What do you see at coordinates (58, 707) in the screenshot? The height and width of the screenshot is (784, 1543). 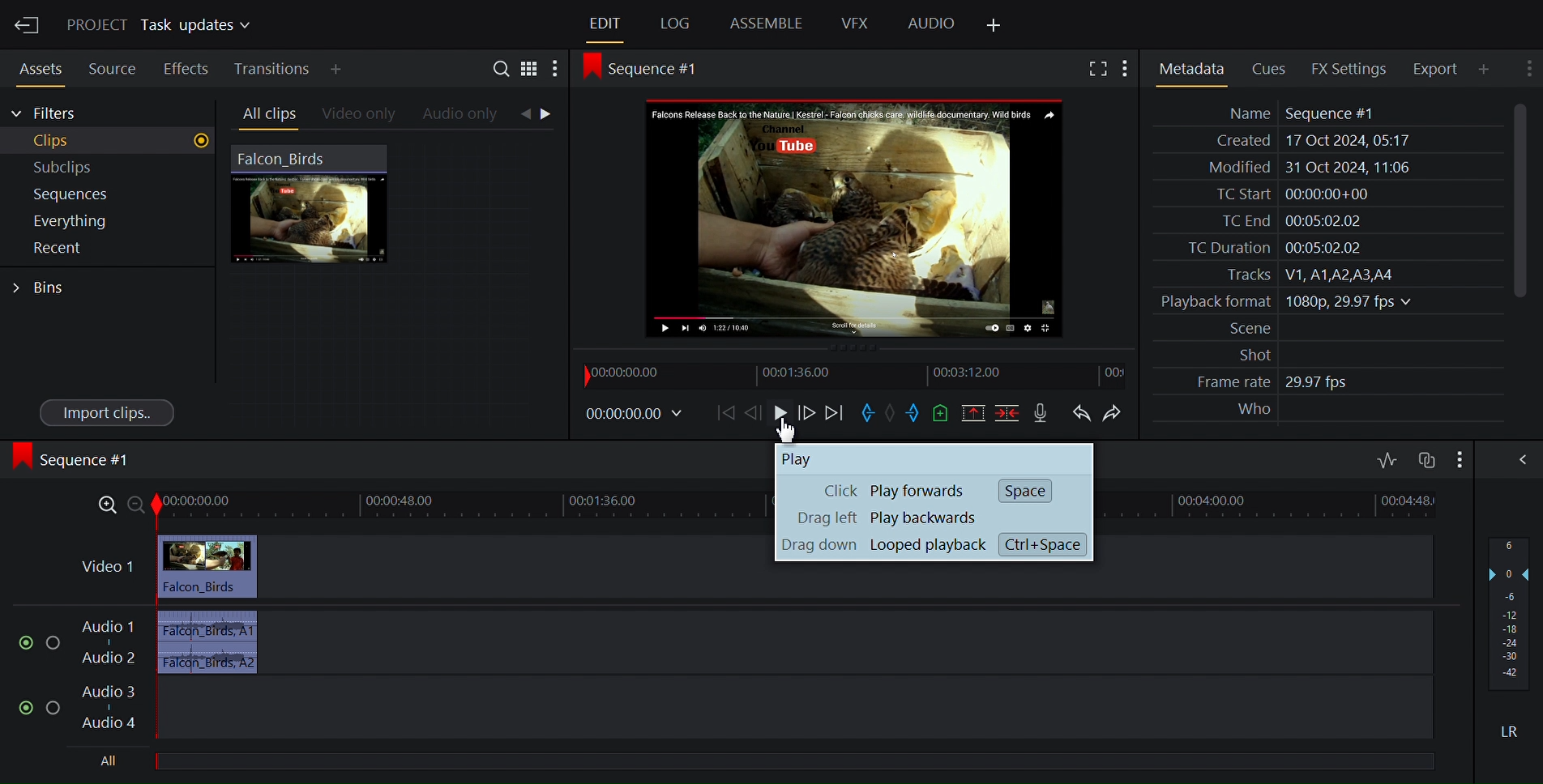 I see `Solo this track` at bounding box center [58, 707].